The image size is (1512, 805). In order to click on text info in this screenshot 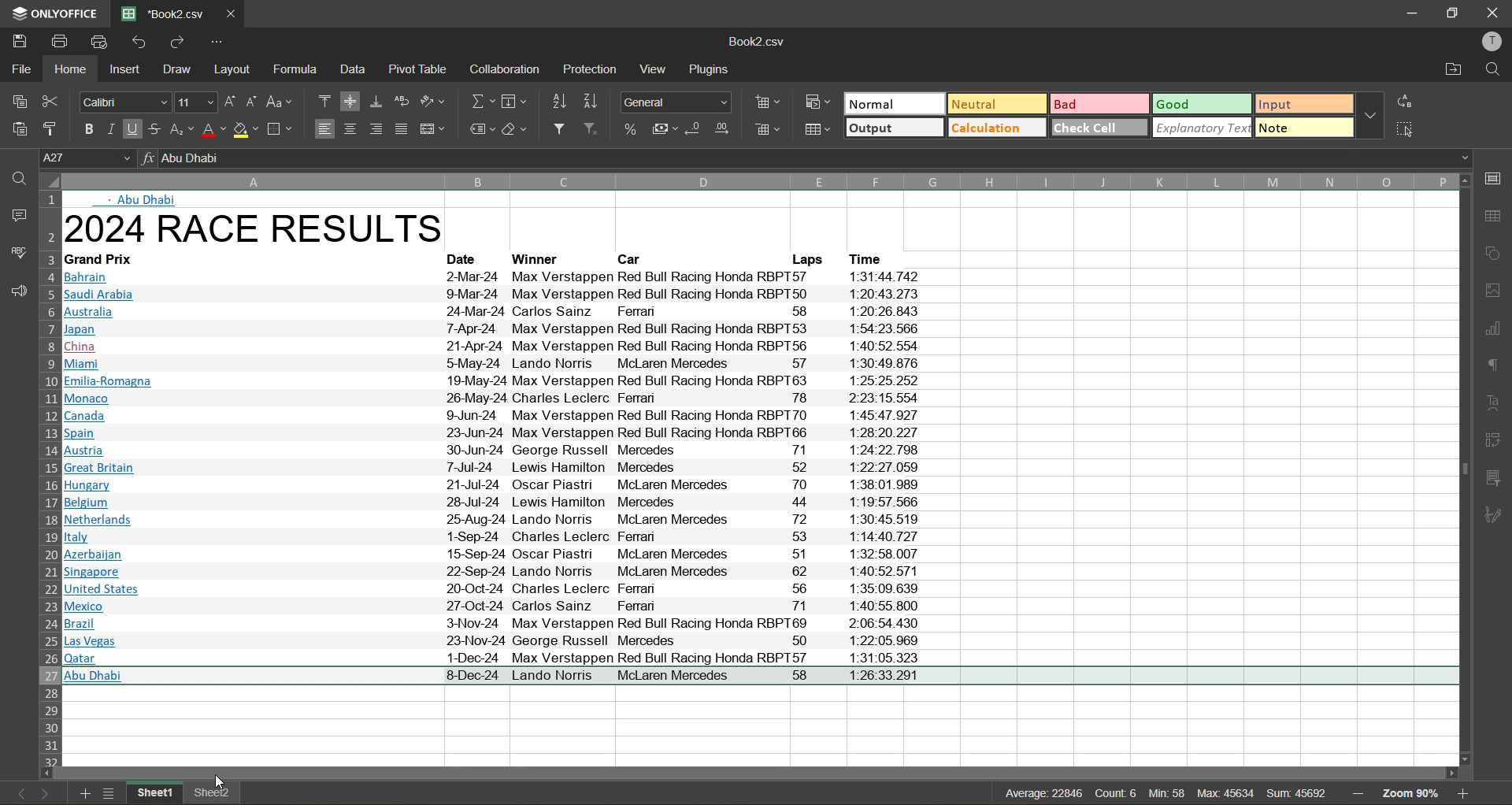, I will do `click(500, 503)`.